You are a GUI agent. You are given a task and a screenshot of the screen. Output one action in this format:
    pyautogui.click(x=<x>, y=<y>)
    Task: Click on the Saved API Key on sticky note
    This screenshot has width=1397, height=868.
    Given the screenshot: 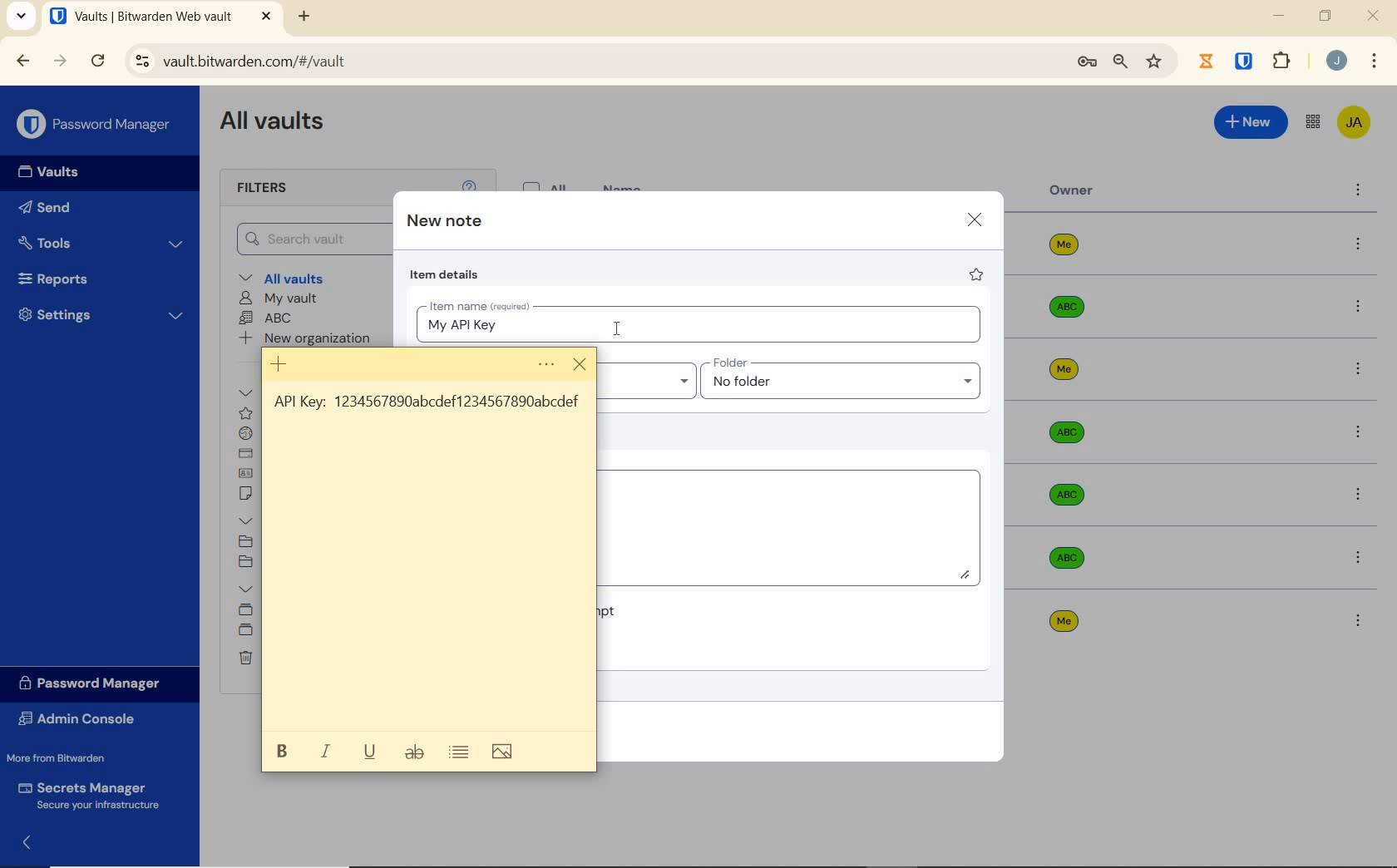 What is the action you would take?
    pyautogui.click(x=427, y=407)
    